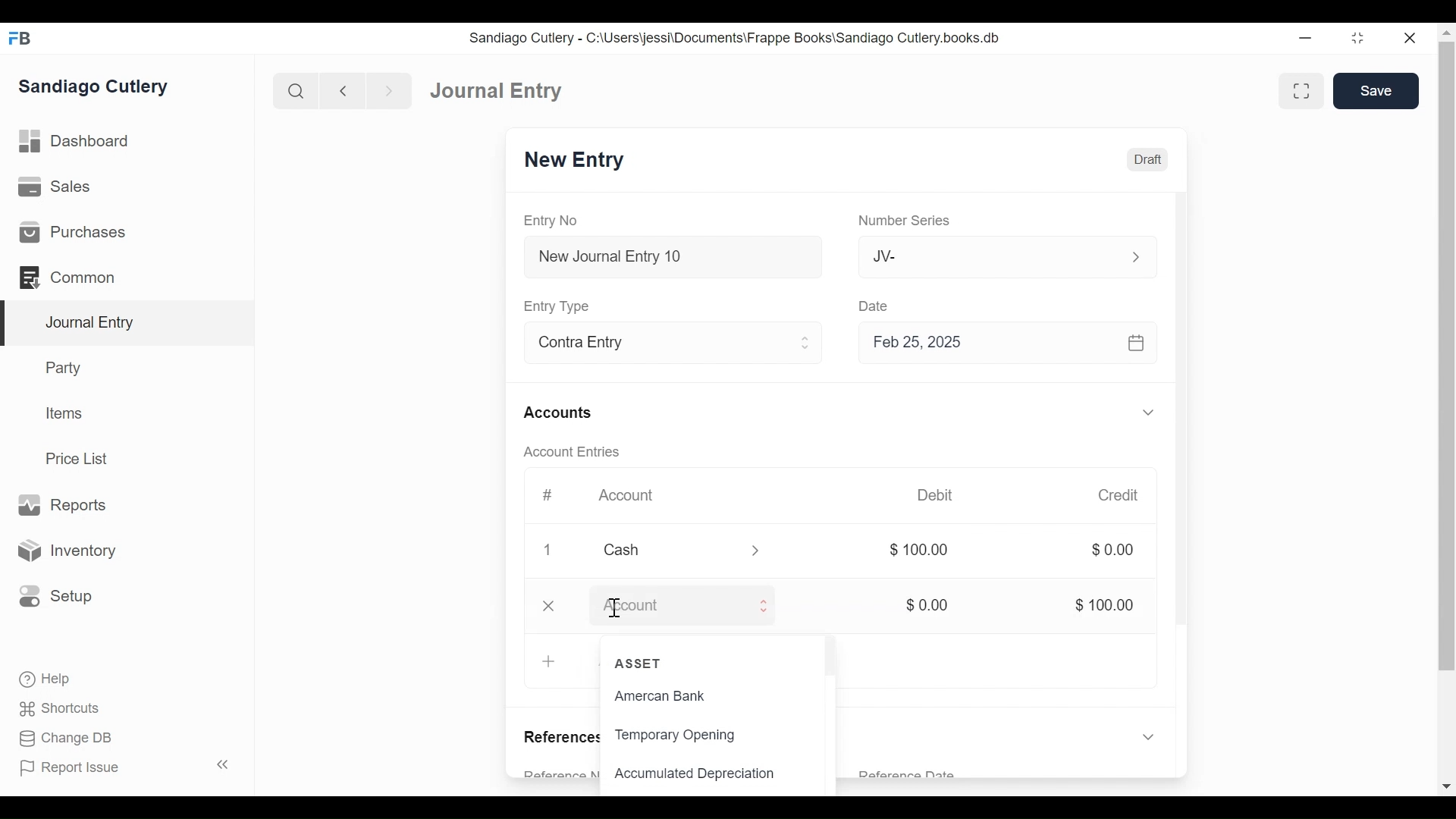 The width and height of the screenshot is (1456, 819). Describe the element at coordinates (985, 255) in the screenshot. I see `JV-` at that location.